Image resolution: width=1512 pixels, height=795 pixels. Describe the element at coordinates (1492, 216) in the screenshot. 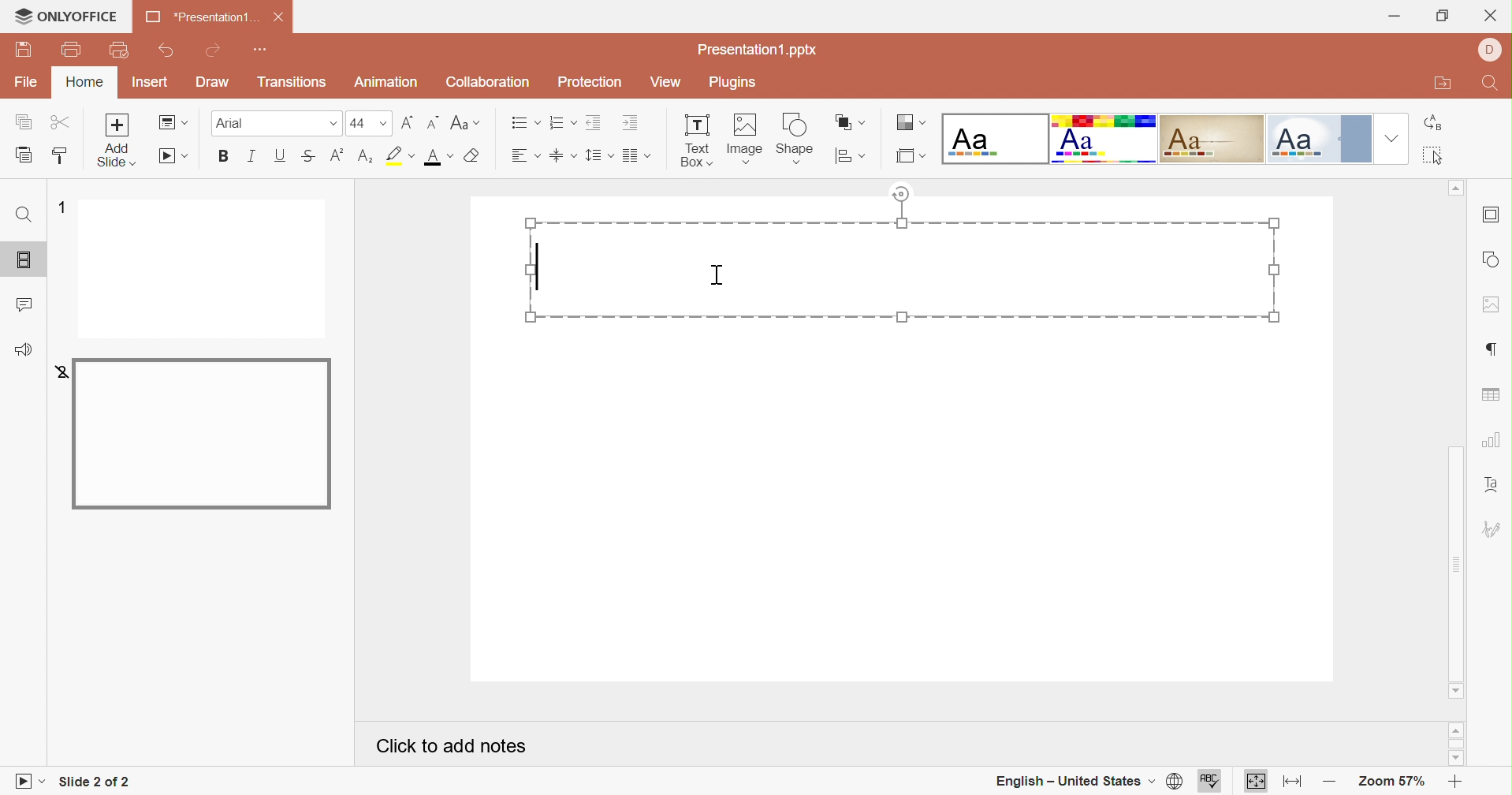

I see `Slide settings` at that location.